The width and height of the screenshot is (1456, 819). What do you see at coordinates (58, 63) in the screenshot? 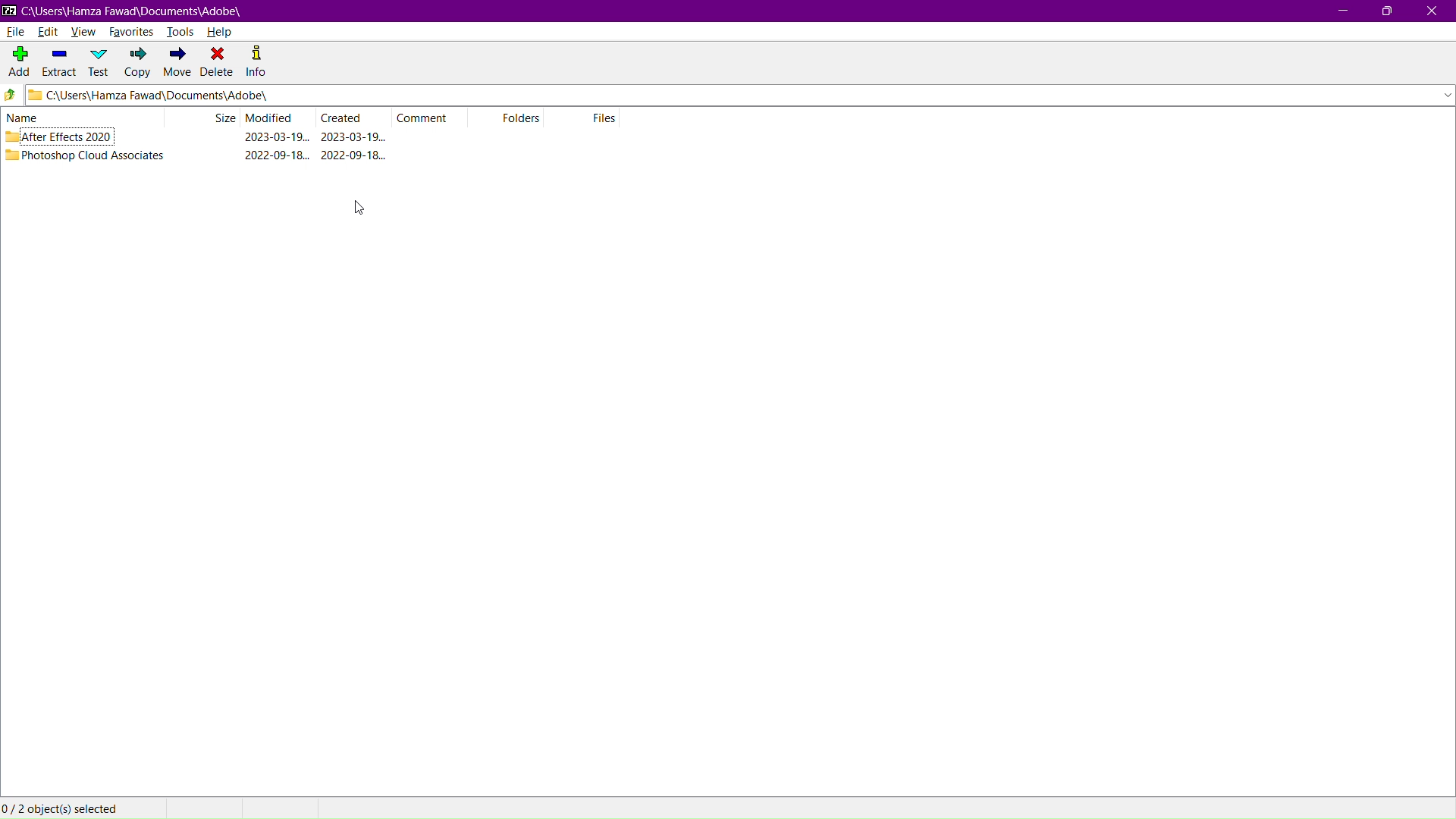
I see `Extract` at bounding box center [58, 63].